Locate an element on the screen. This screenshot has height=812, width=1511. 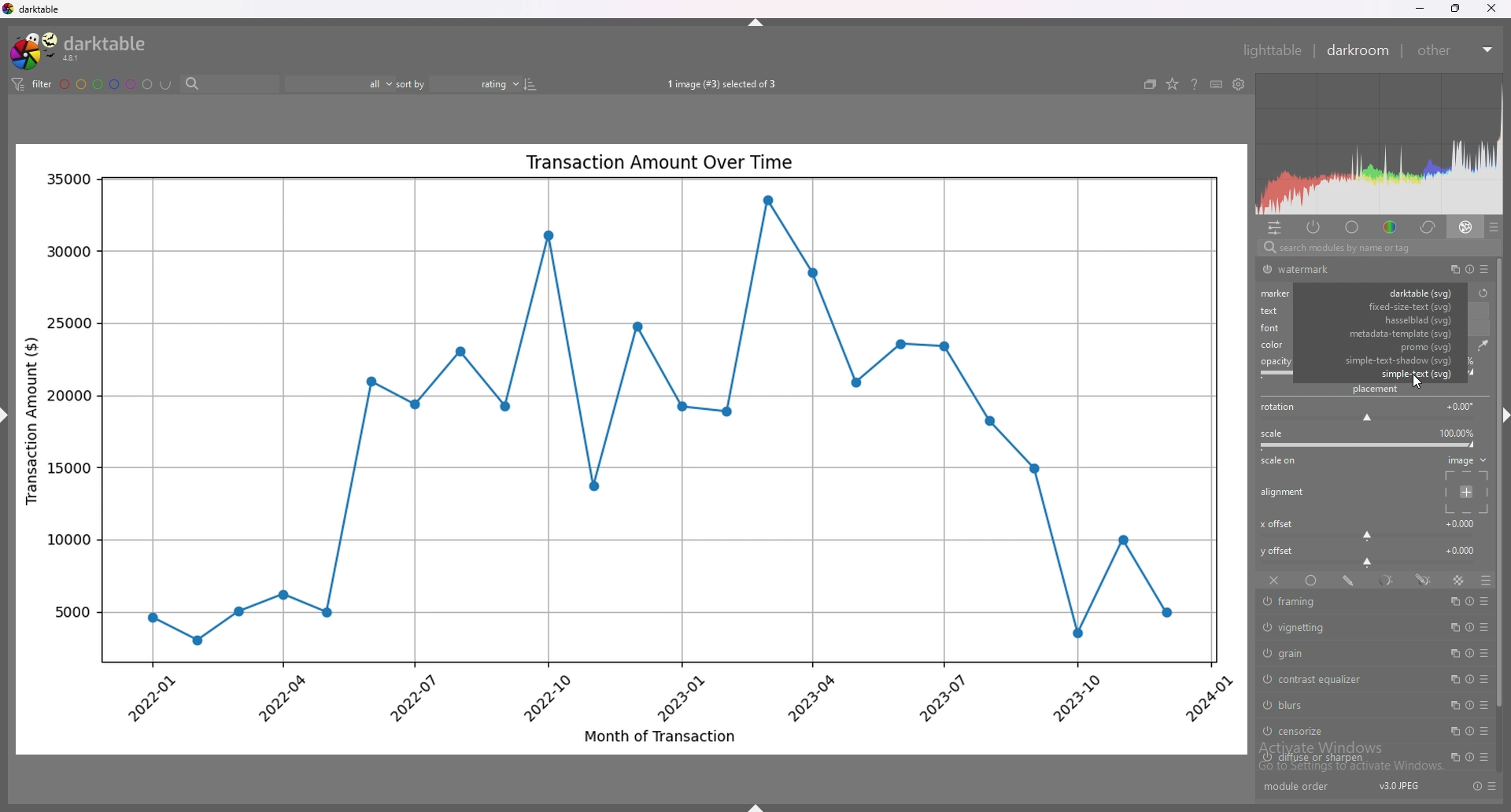
presets is located at coordinates (1487, 706).